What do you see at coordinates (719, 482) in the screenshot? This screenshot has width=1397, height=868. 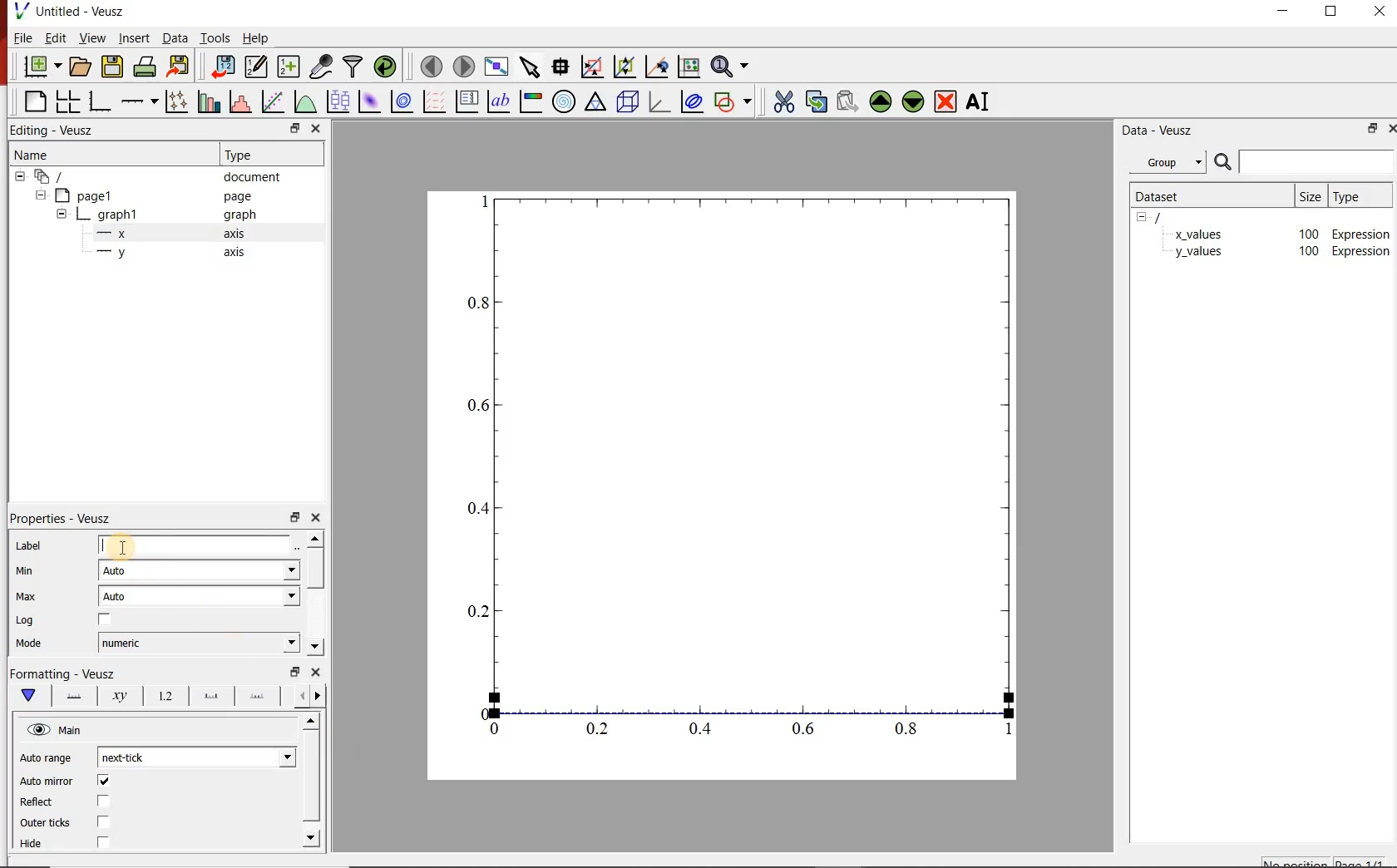 I see `graph` at bounding box center [719, 482].